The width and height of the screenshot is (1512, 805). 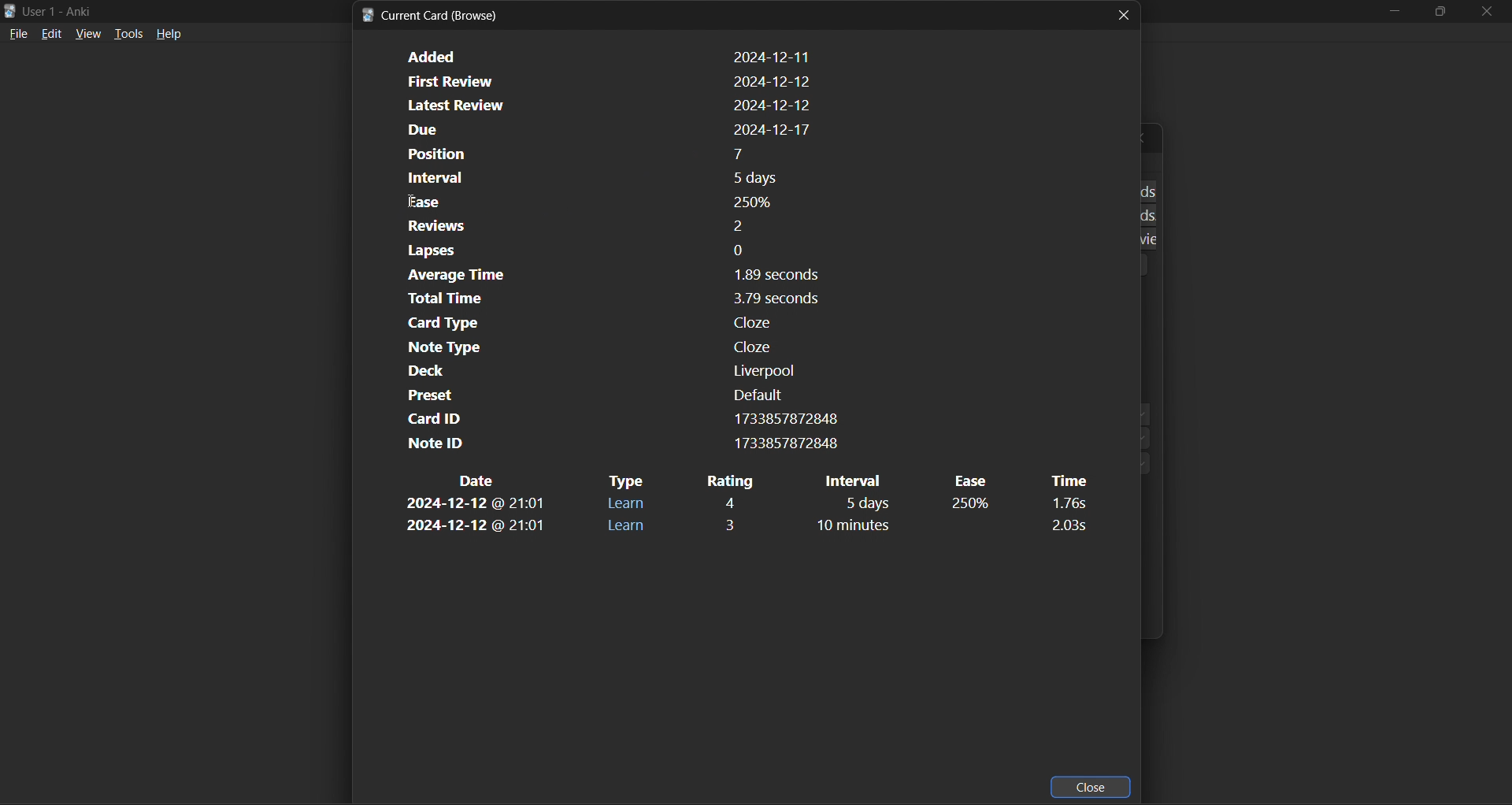 What do you see at coordinates (476, 505) in the screenshot?
I see `date` at bounding box center [476, 505].